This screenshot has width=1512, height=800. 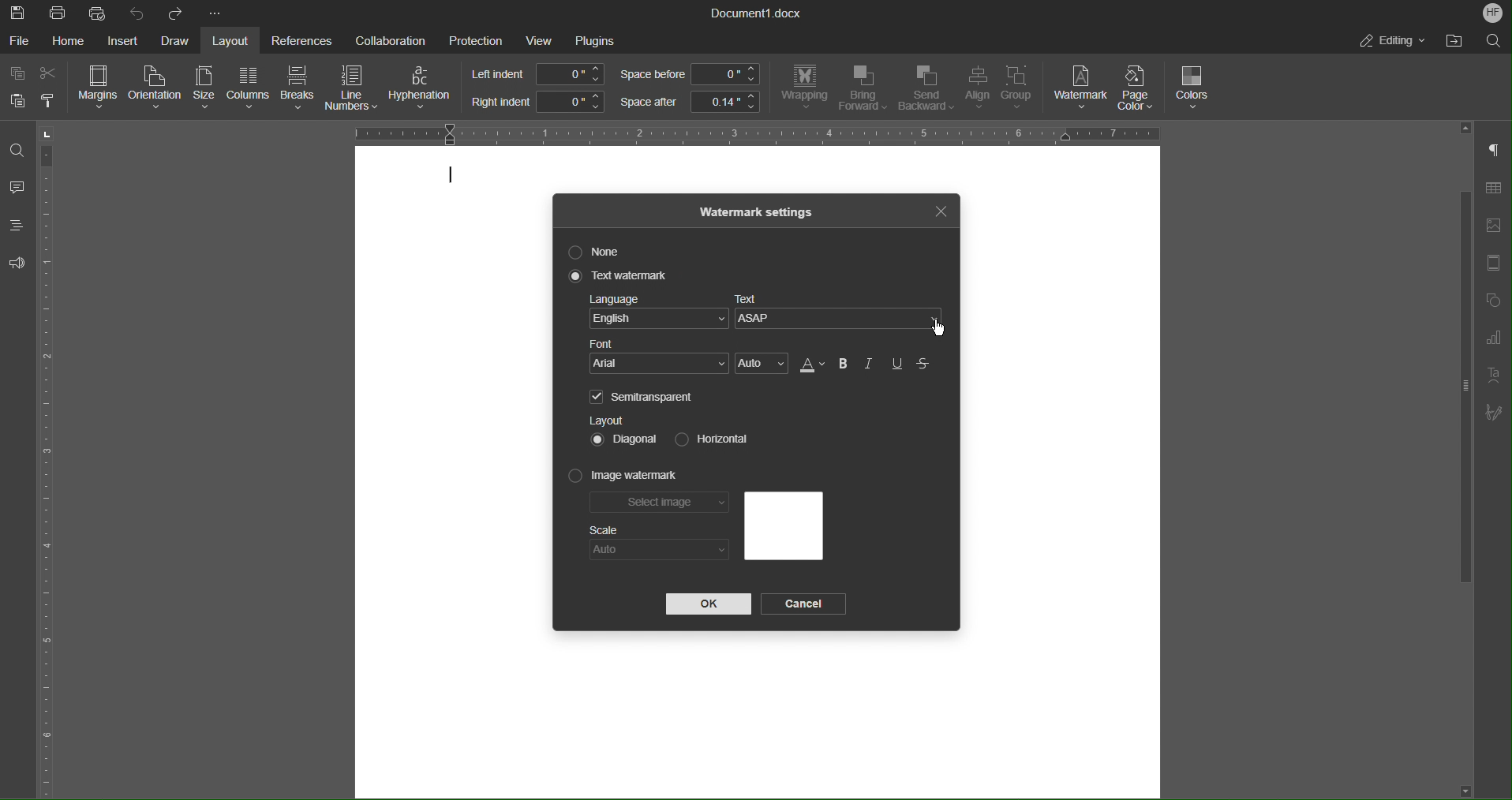 I want to click on Insert, so click(x=122, y=41).